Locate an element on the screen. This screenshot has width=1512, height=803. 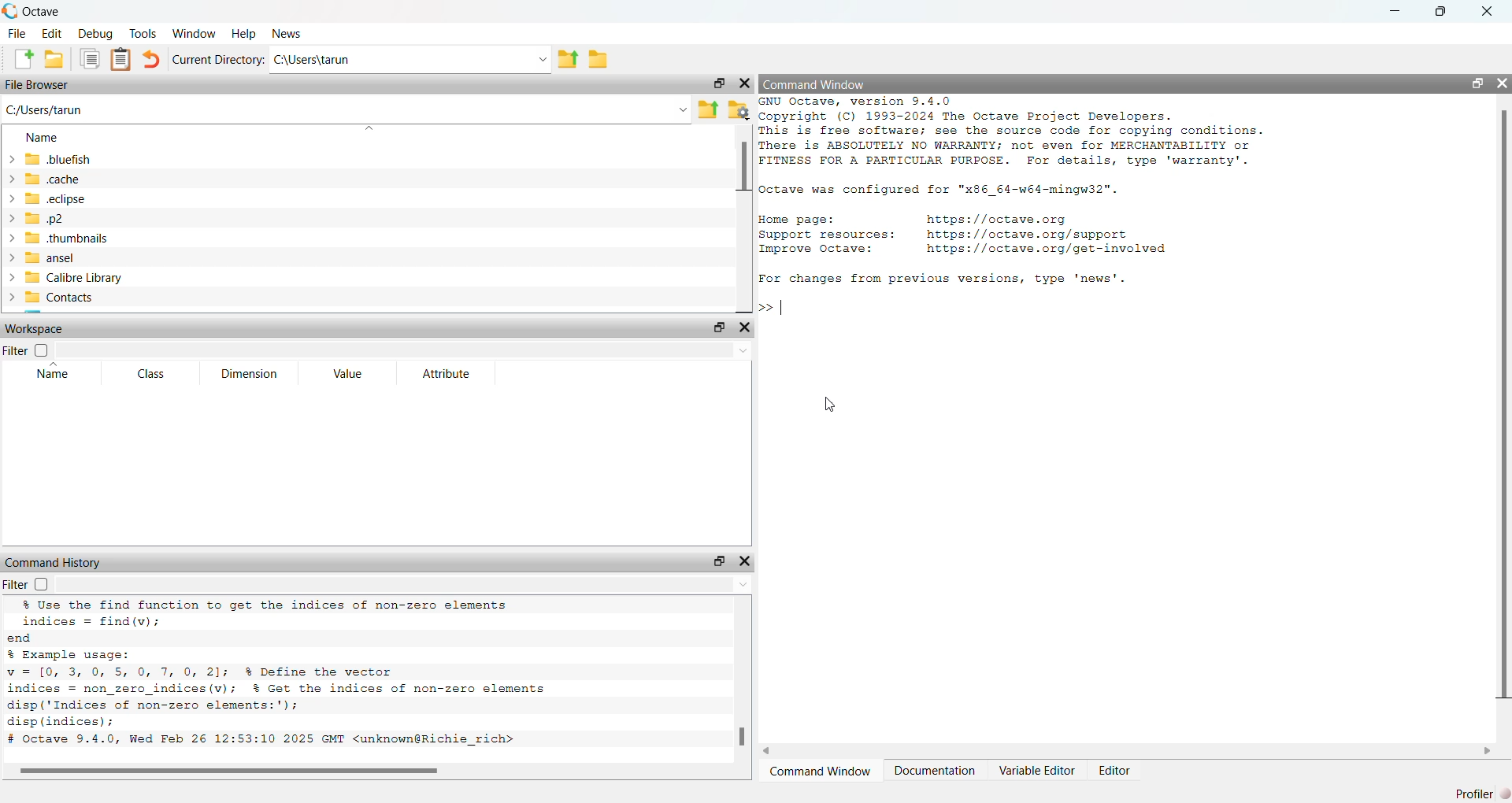
Documentation is located at coordinates (935, 775).